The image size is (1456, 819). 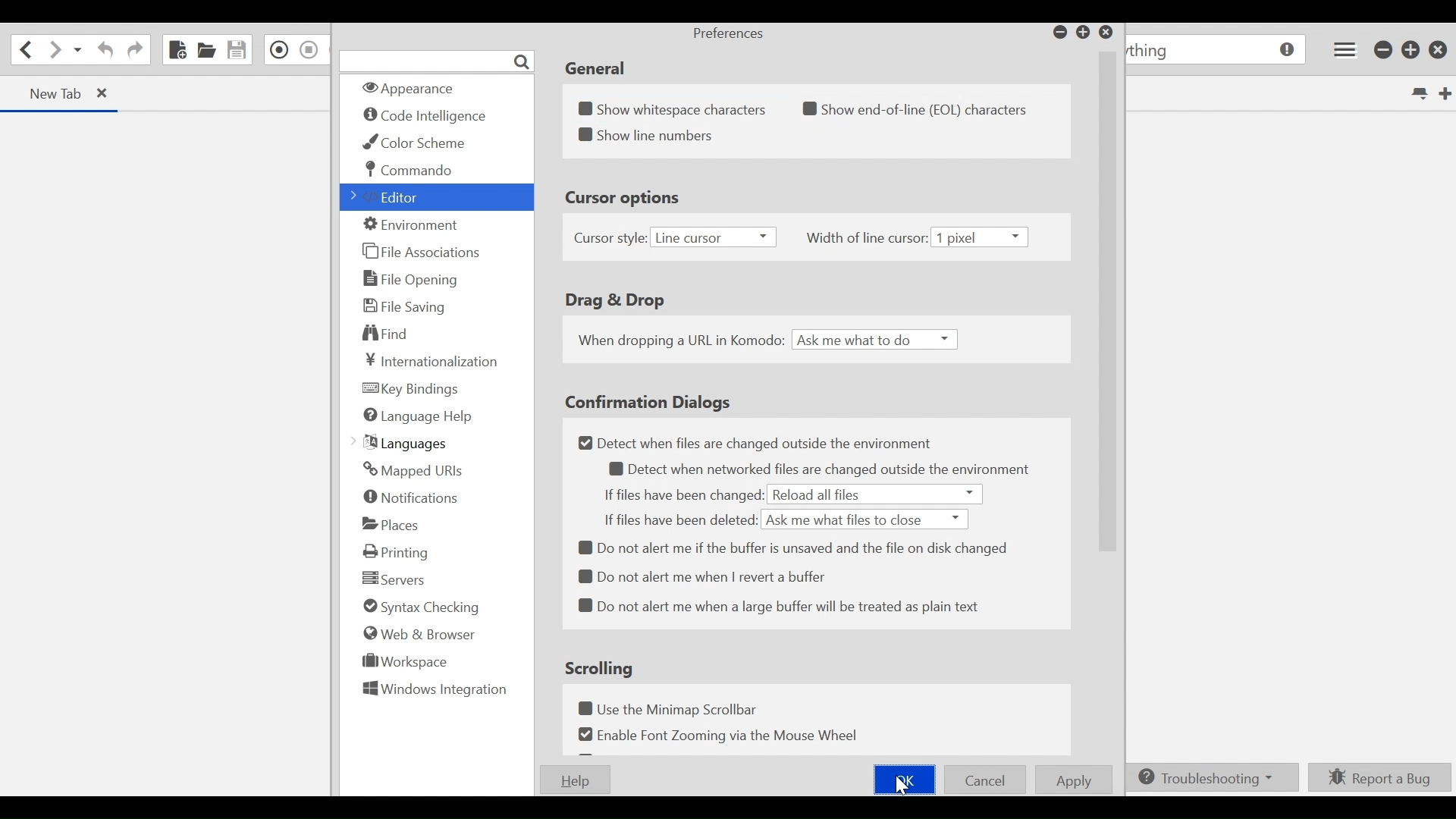 What do you see at coordinates (777, 607) in the screenshot?
I see ` Do not alert me when a large buffer will be treated as plain text` at bounding box center [777, 607].